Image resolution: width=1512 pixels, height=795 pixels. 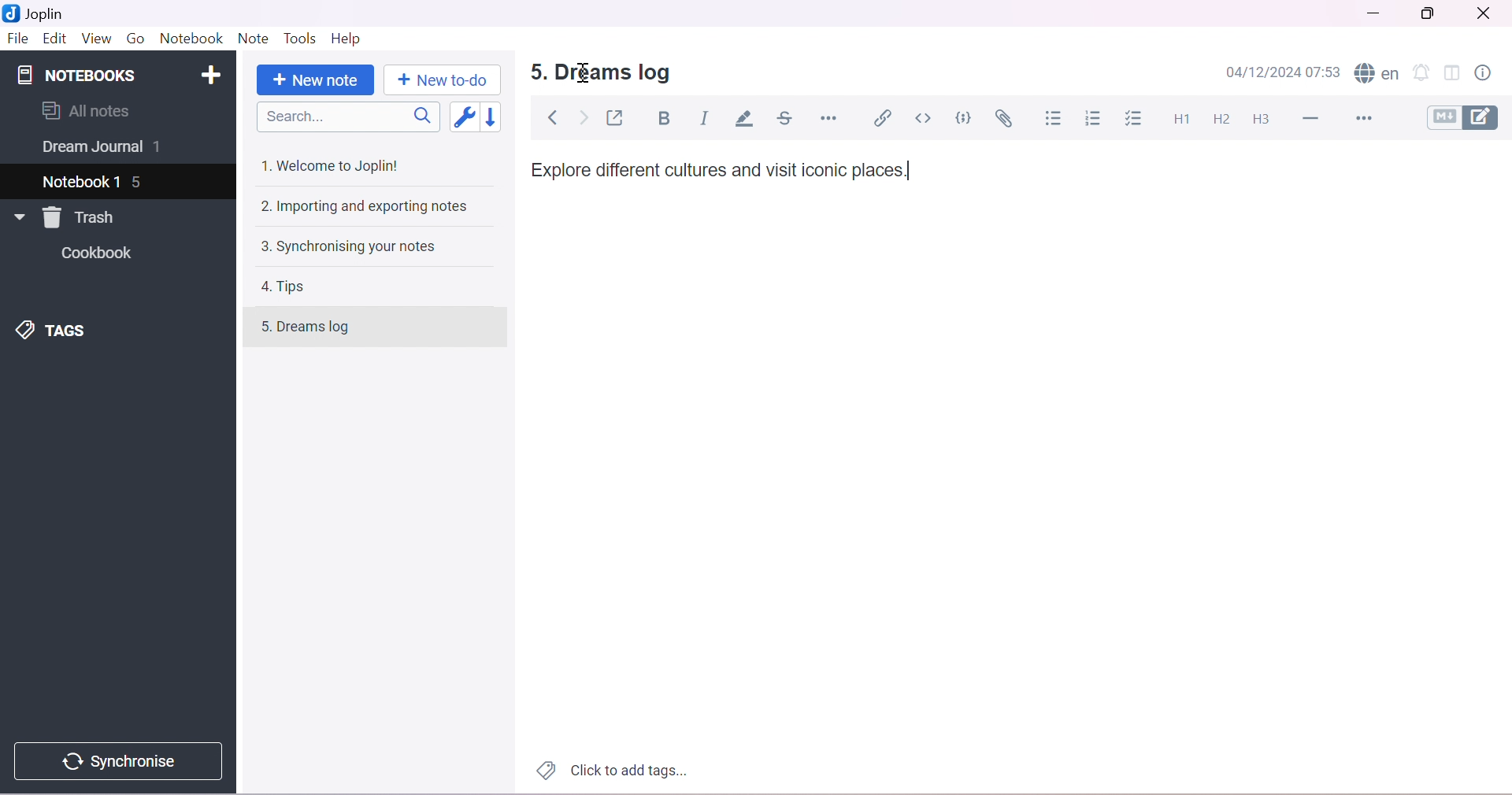 What do you see at coordinates (75, 76) in the screenshot?
I see `NOTEBOOKS` at bounding box center [75, 76].